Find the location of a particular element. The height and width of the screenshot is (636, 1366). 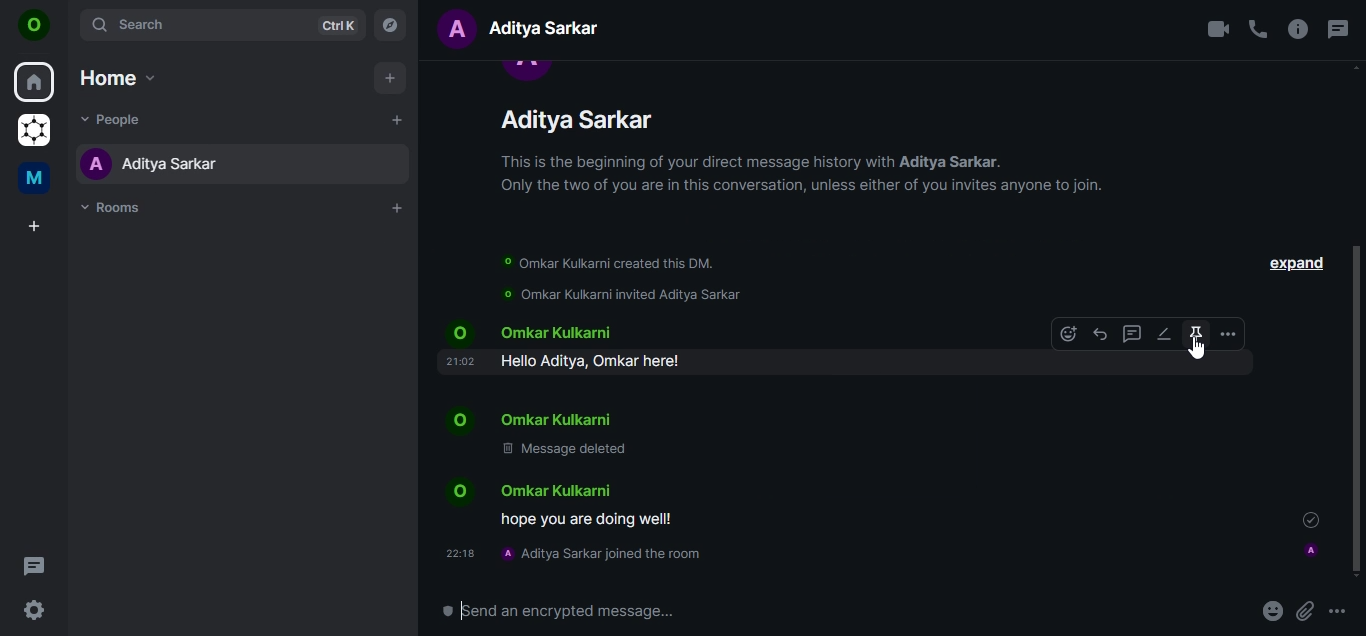

pin a message is located at coordinates (1202, 331).